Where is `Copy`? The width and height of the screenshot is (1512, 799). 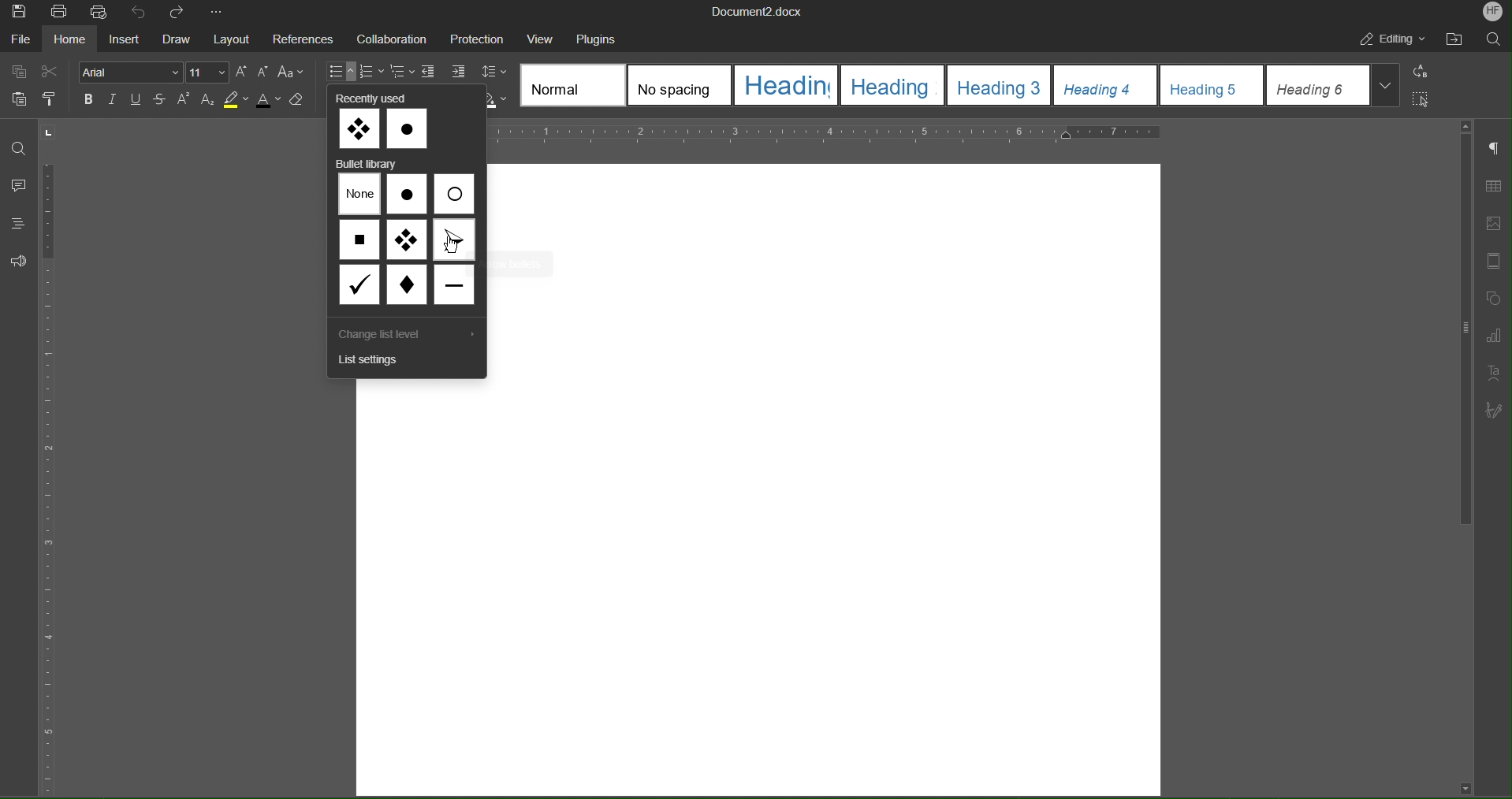 Copy is located at coordinates (18, 71).